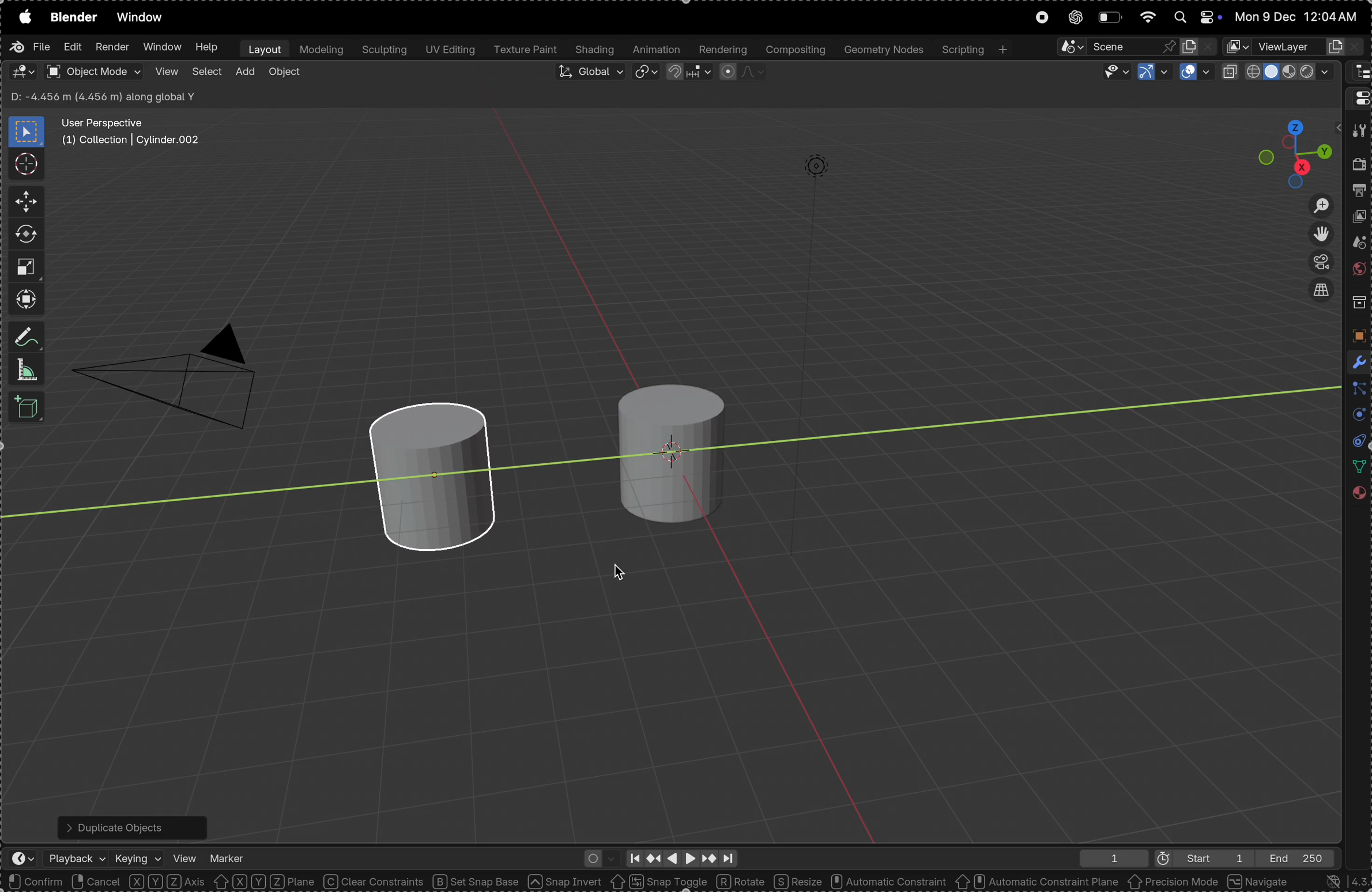  Describe the element at coordinates (1197, 857) in the screenshot. I see `start 1` at that location.